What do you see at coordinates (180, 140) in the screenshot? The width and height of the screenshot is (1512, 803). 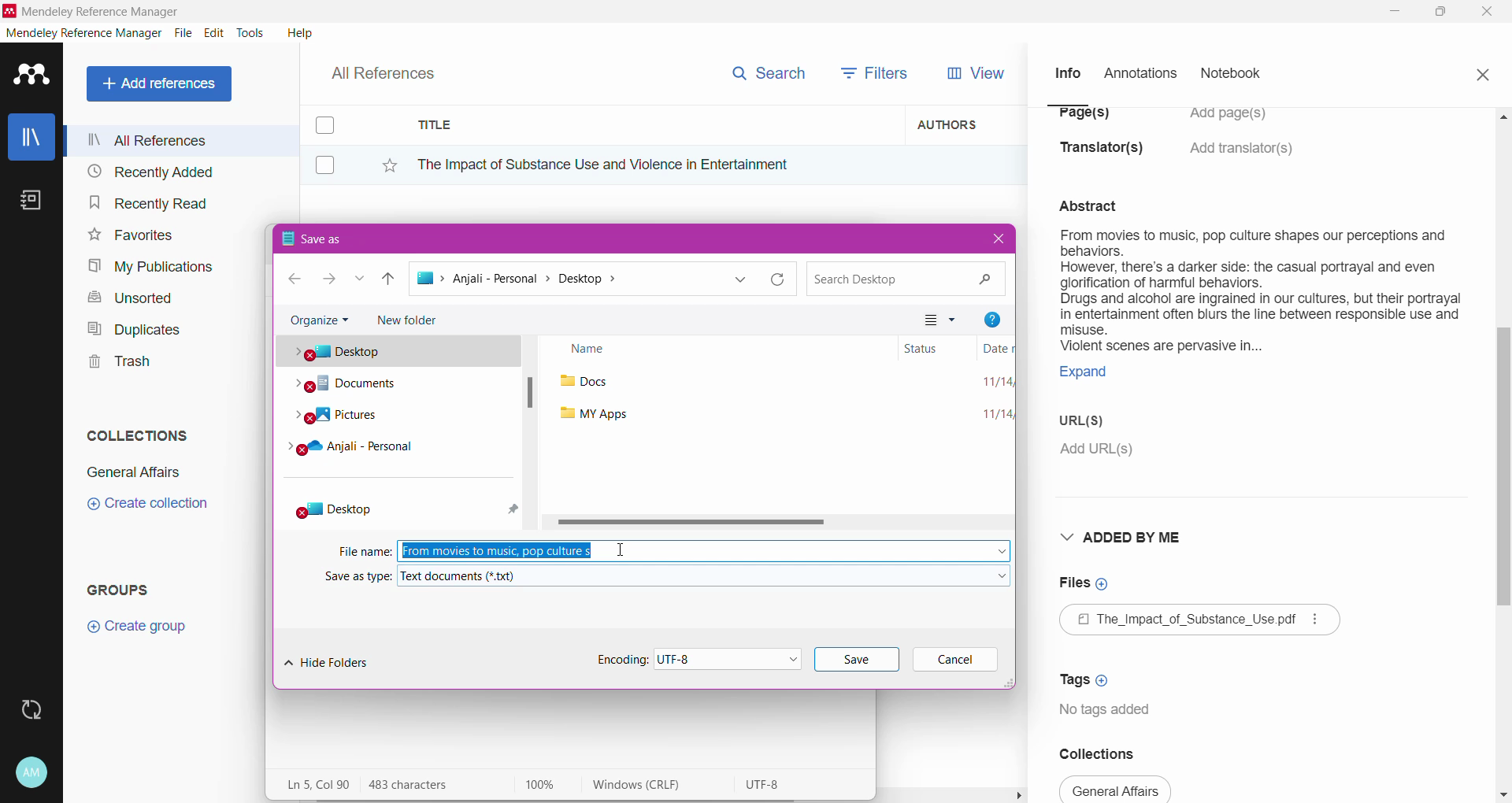 I see `All References` at bounding box center [180, 140].